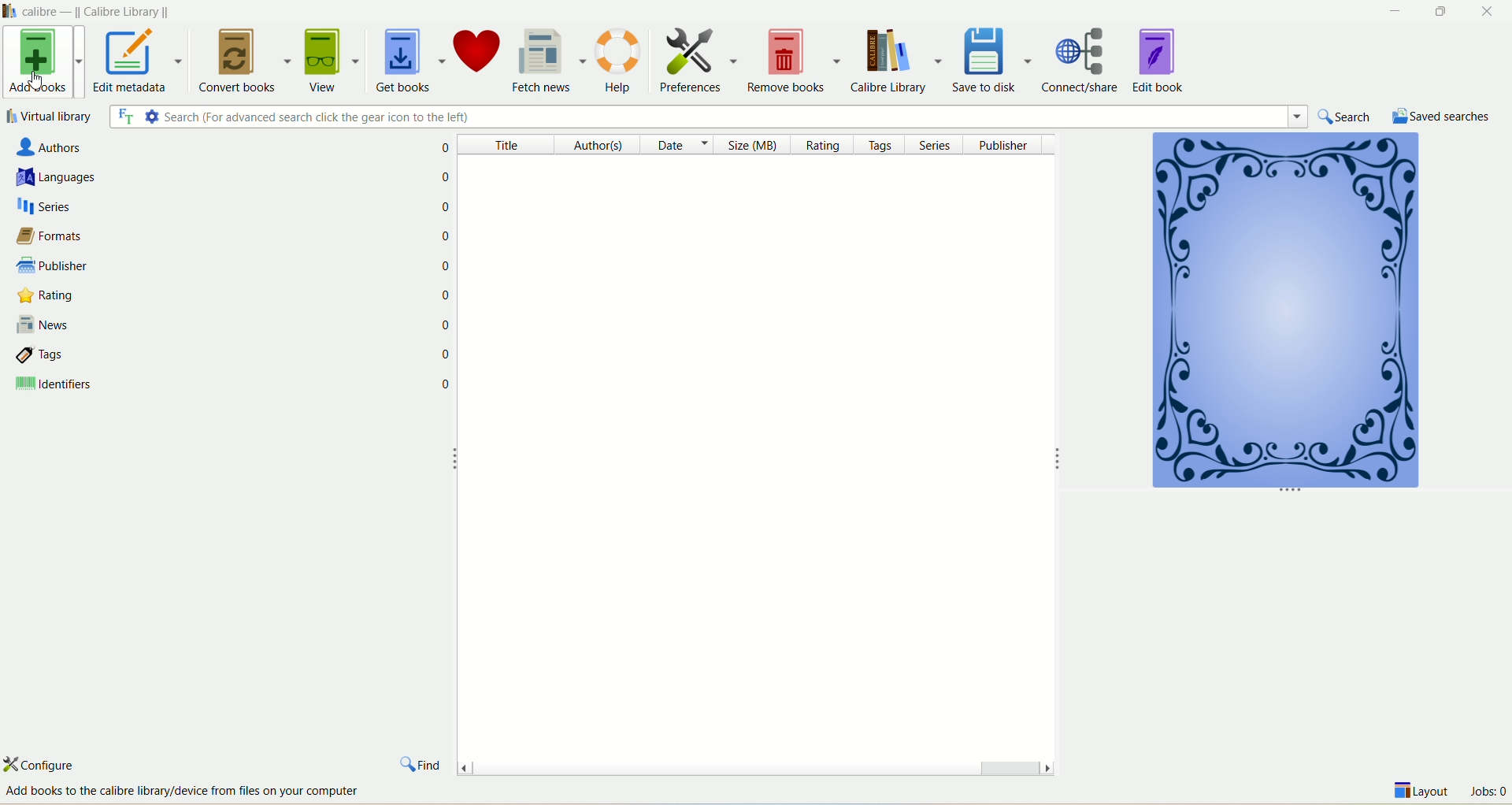  What do you see at coordinates (421, 761) in the screenshot?
I see `find` at bounding box center [421, 761].